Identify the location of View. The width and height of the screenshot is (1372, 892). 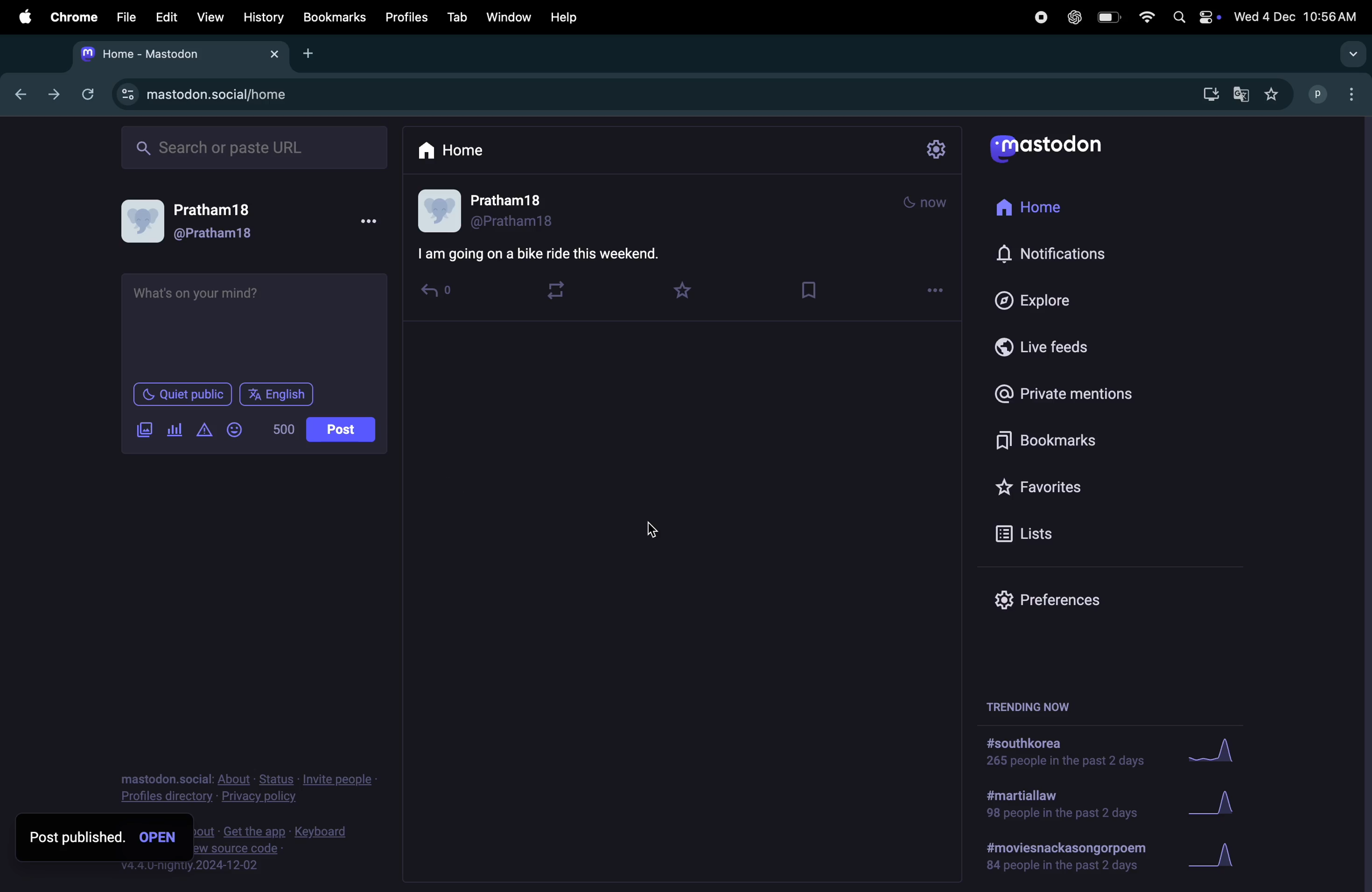
(211, 14).